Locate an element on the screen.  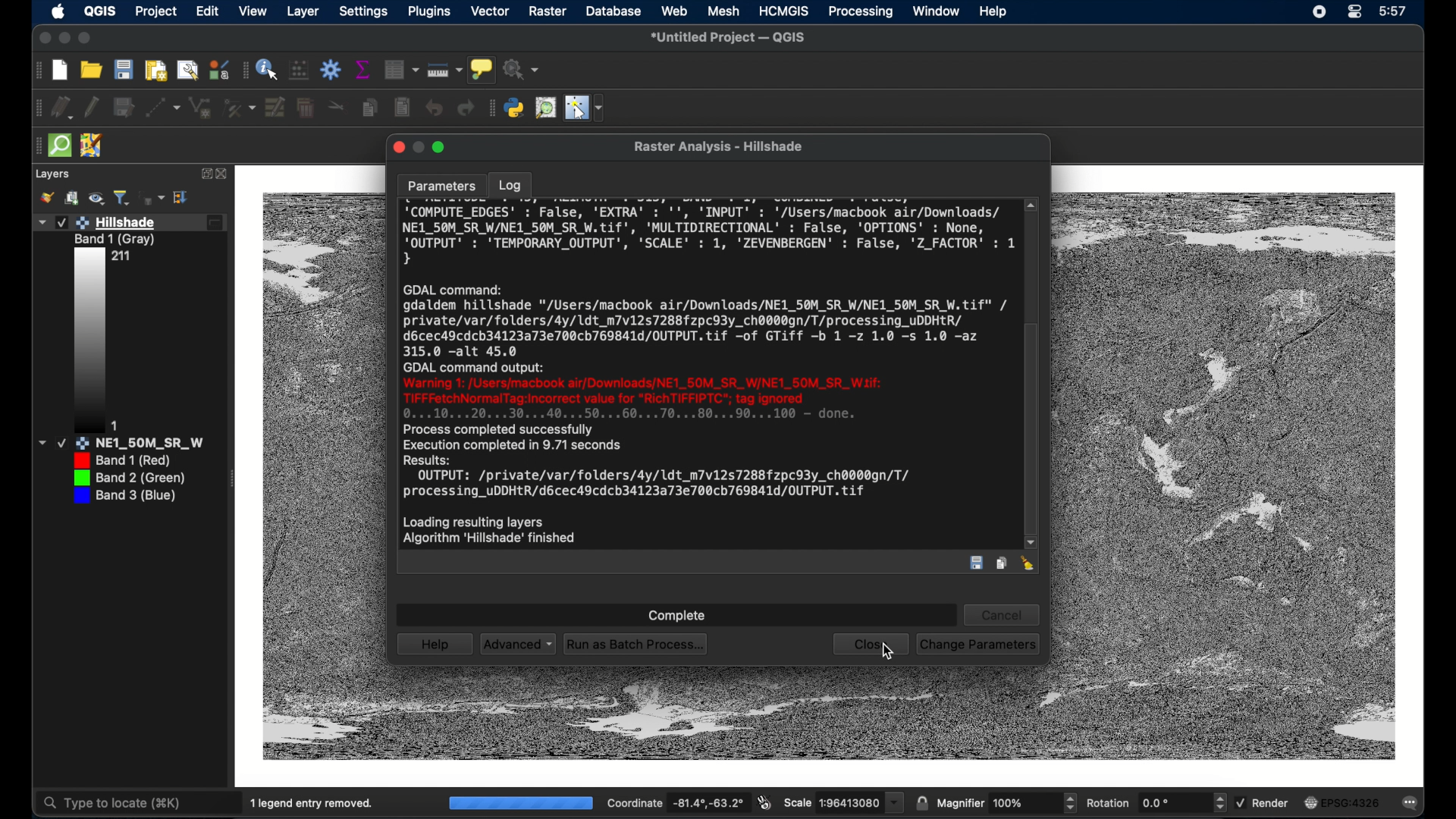
python console is located at coordinates (515, 108).